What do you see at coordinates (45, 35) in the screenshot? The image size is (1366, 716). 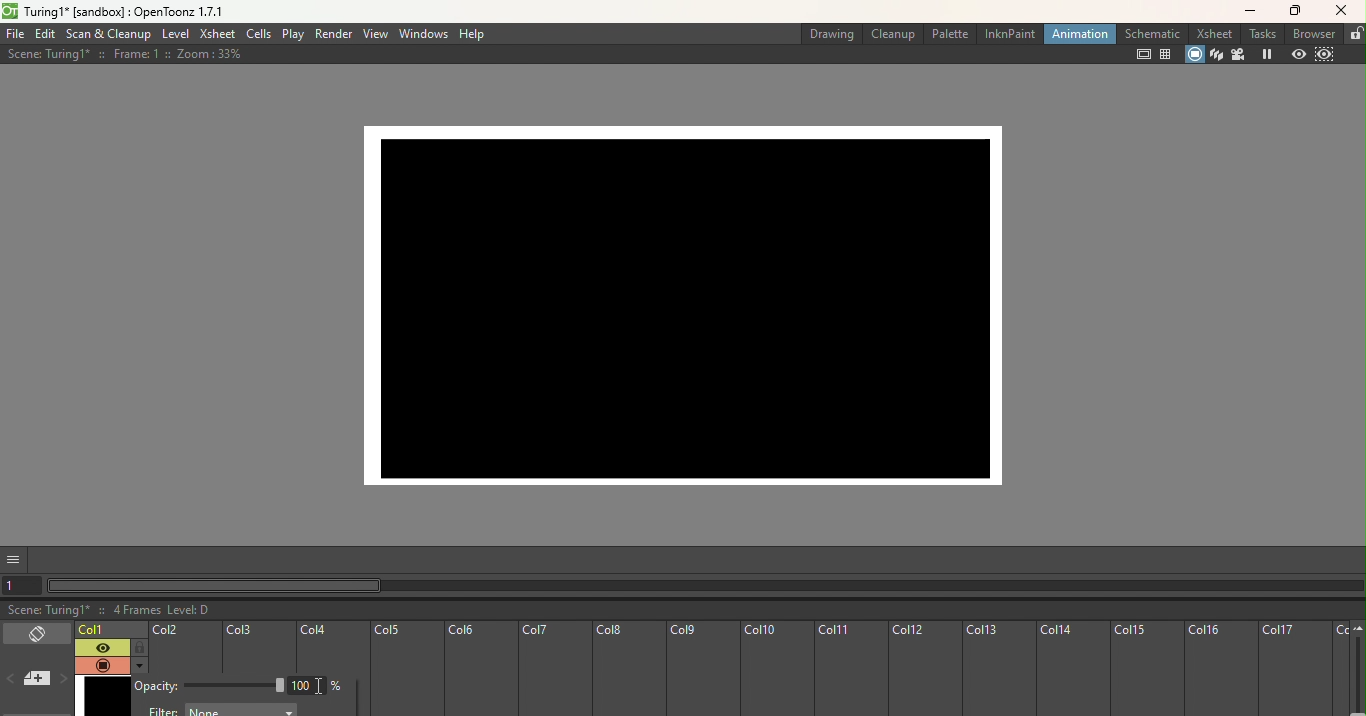 I see `Edit` at bounding box center [45, 35].